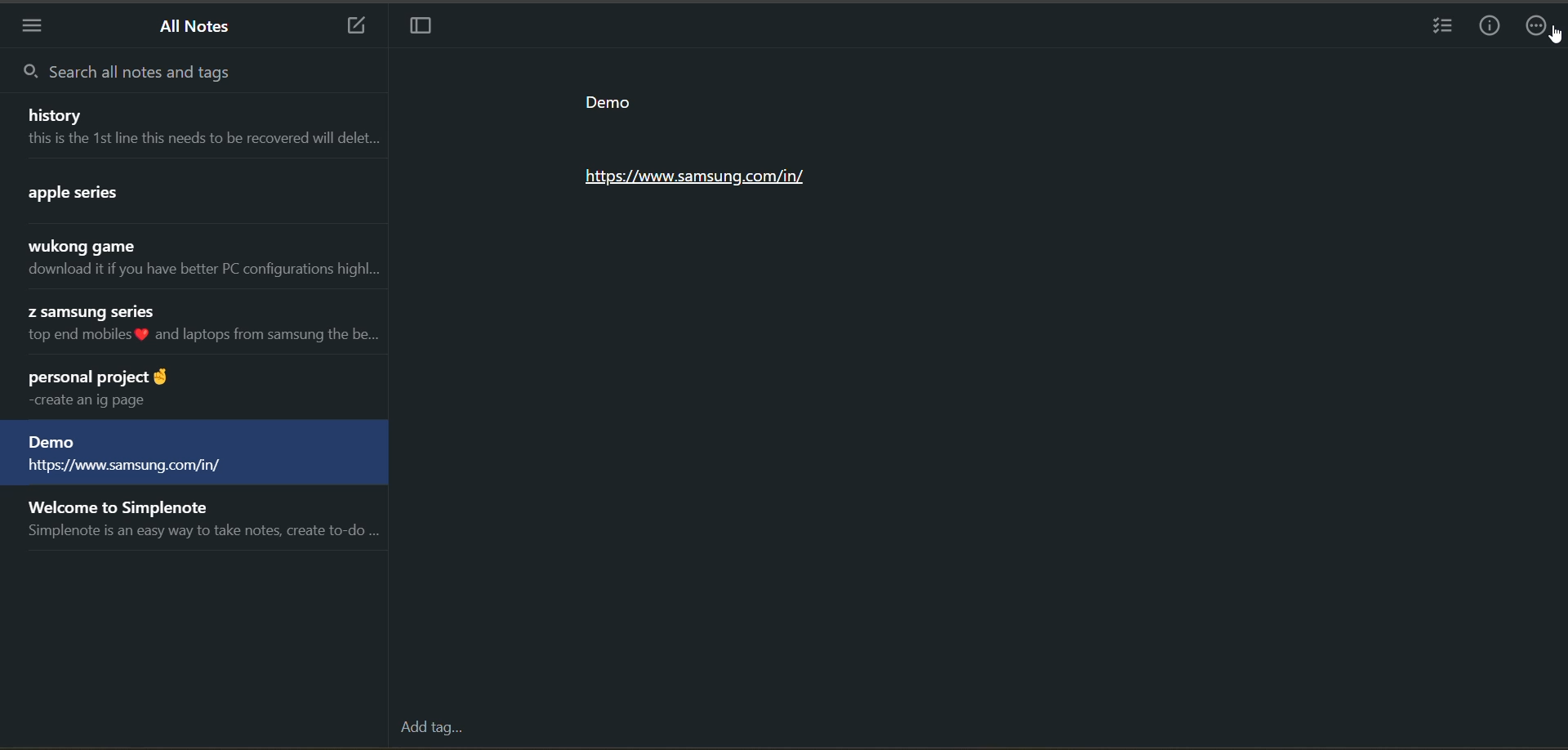 The image size is (1568, 750). Describe the element at coordinates (199, 260) in the screenshot. I see `note title and preview` at that location.